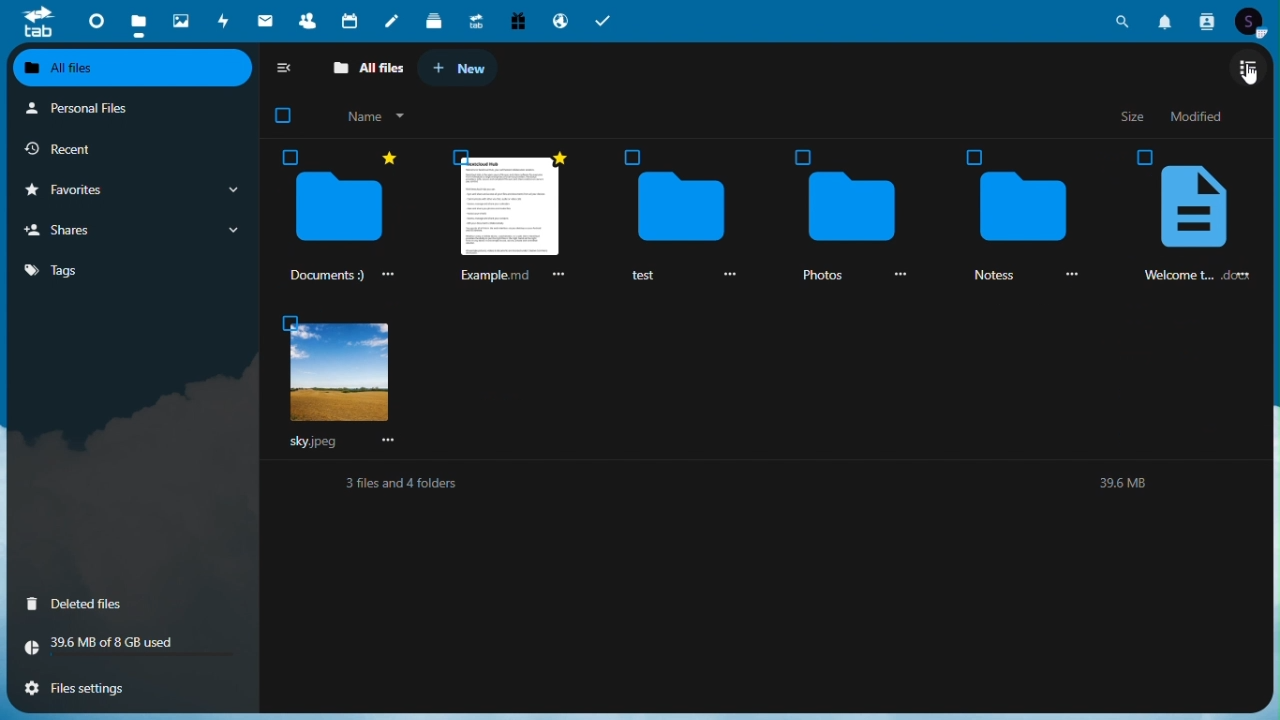  I want to click on favorite, so click(556, 156).